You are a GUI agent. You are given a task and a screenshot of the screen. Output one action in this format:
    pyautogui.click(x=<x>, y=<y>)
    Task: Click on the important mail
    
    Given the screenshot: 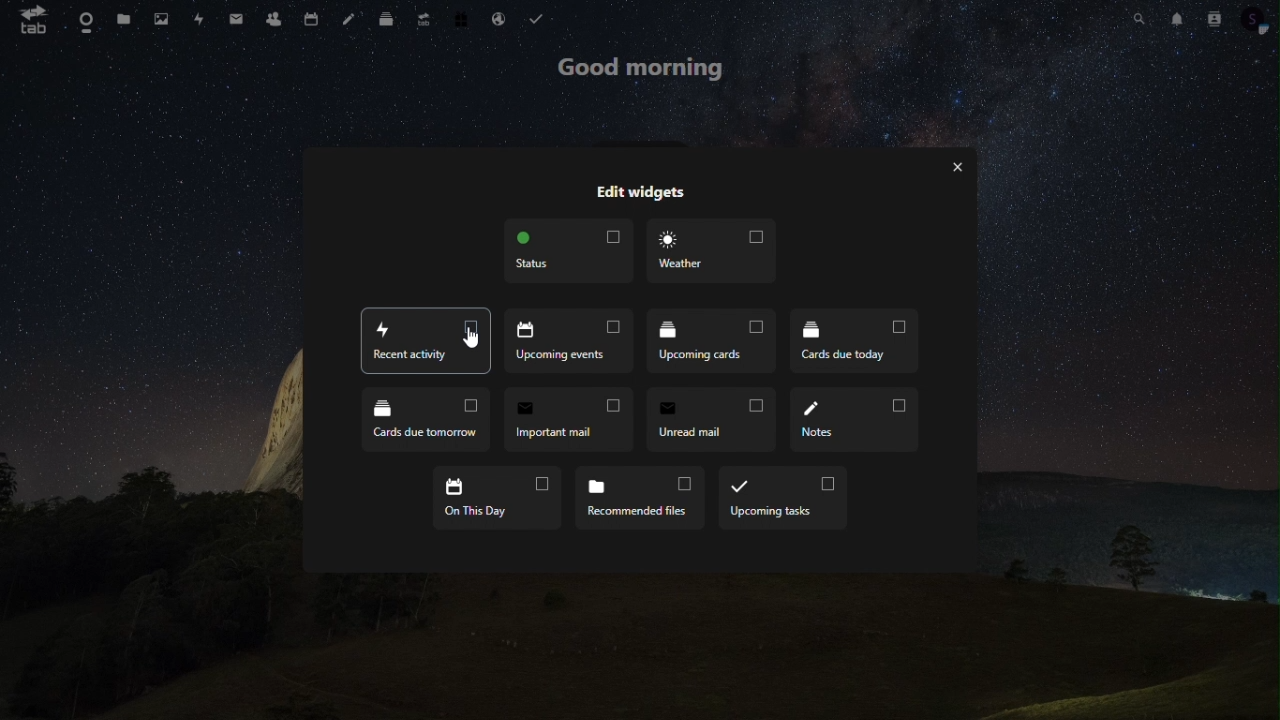 What is the action you would take?
    pyautogui.click(x=573, y=418)
    